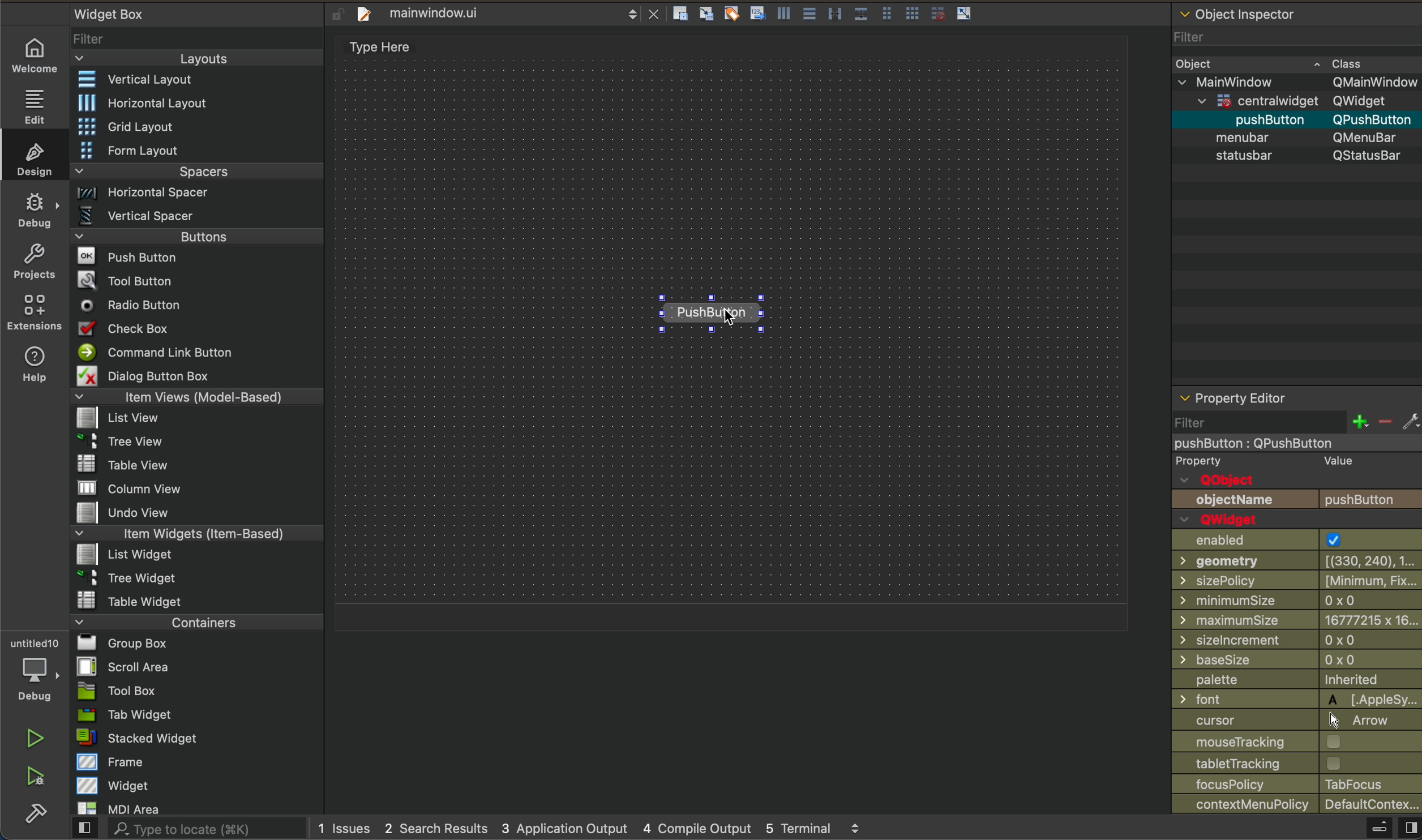  Describe the element at coordinates (1295, 540) in the screenshot. I see `enabled` at that location.